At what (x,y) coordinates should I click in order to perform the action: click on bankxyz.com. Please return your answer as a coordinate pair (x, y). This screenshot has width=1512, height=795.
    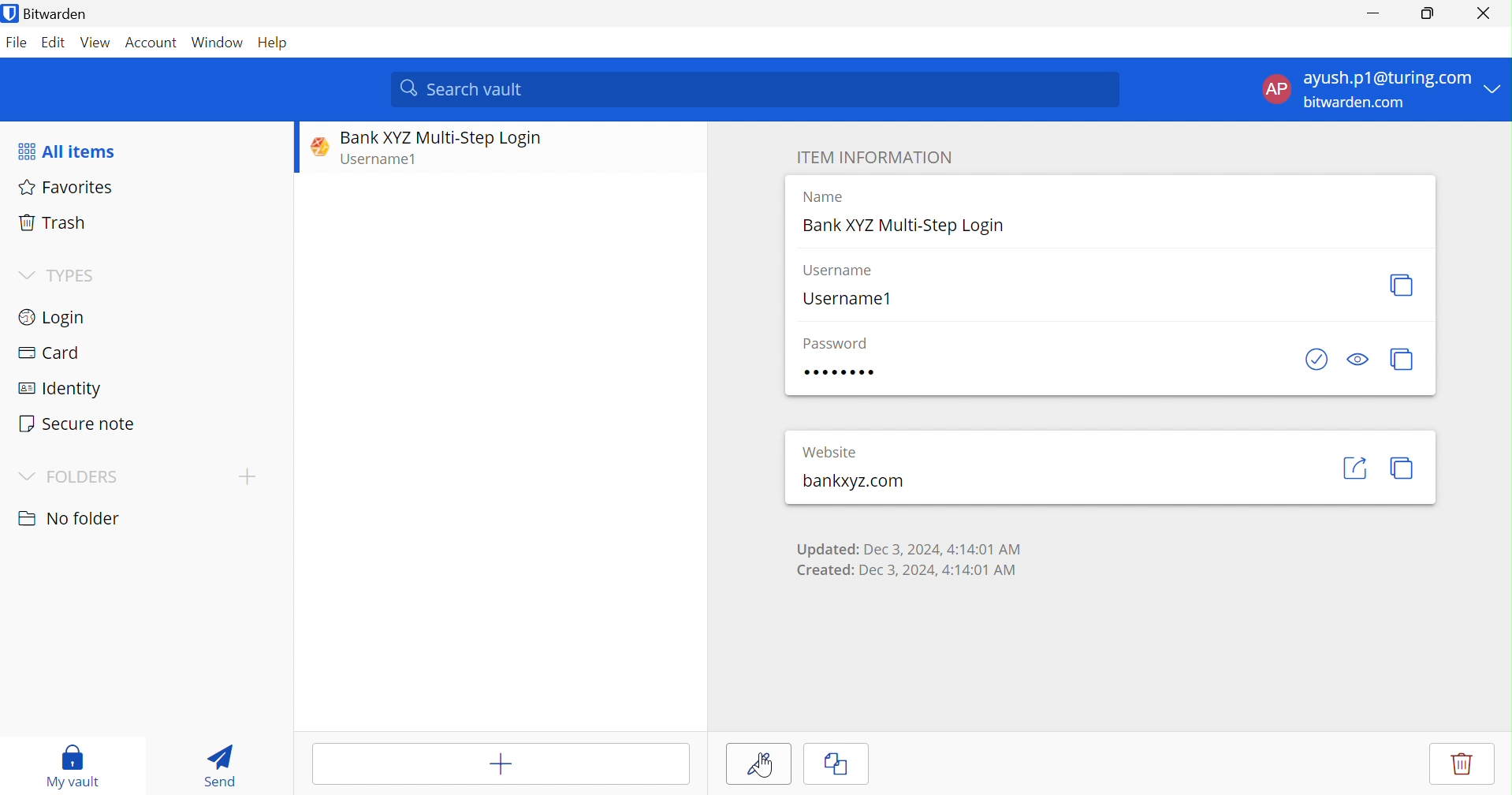
    Looking at the image, I should click on (858, 482).